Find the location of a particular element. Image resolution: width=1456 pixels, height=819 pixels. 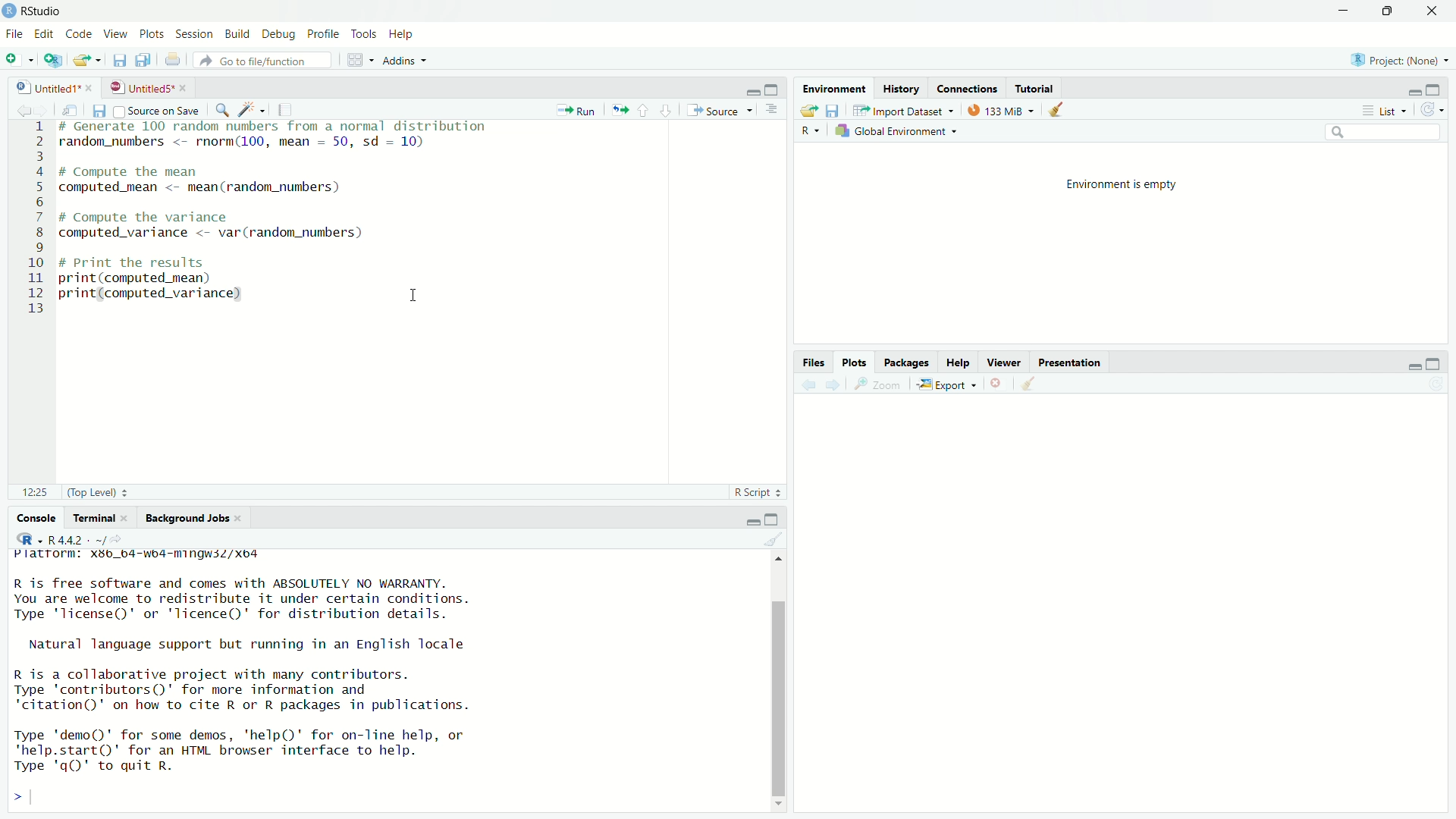

minimize is located at coordinates (1413, 366).